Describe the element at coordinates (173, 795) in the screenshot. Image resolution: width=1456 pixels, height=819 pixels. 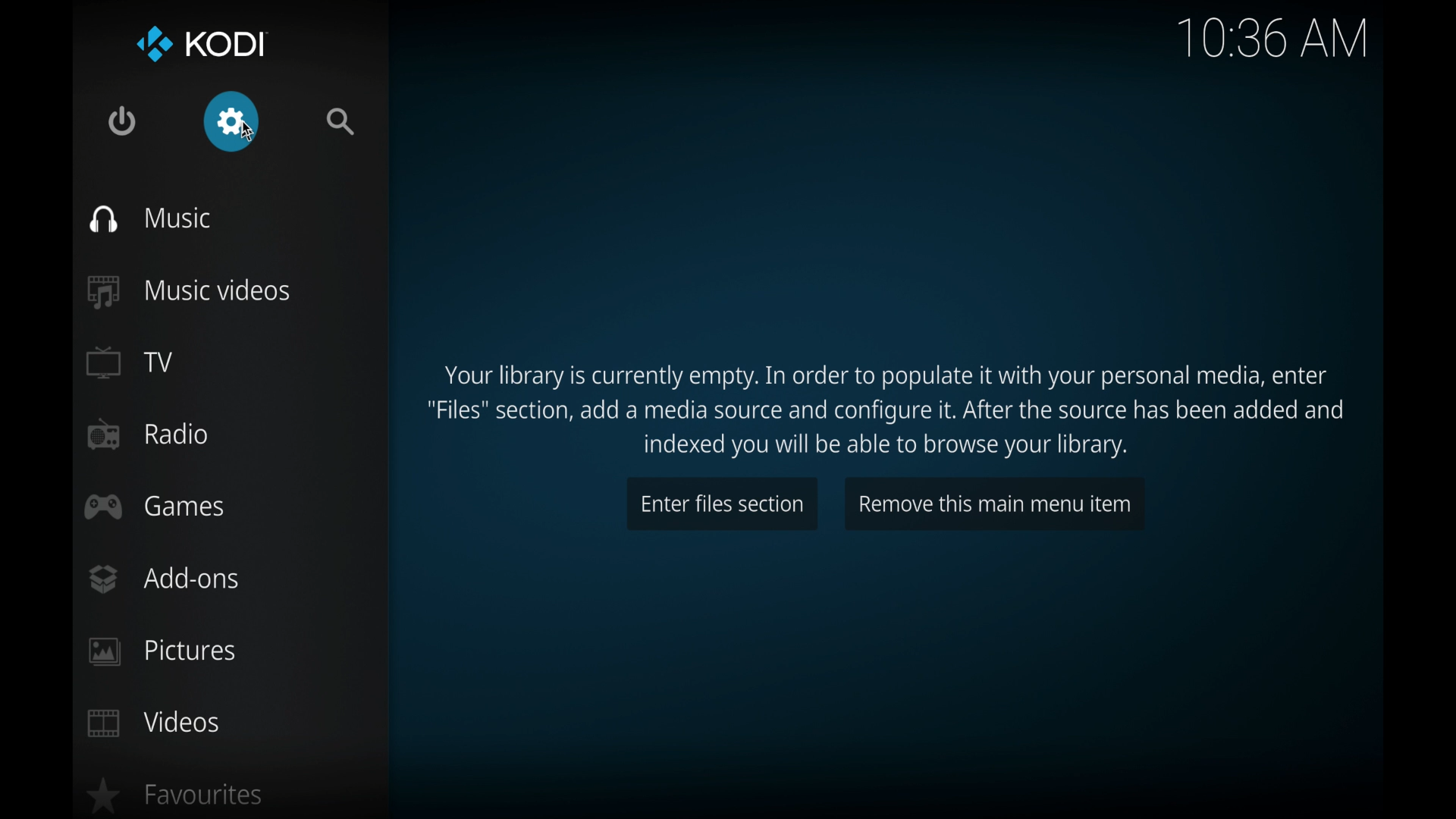
I see `favorites` at that location.